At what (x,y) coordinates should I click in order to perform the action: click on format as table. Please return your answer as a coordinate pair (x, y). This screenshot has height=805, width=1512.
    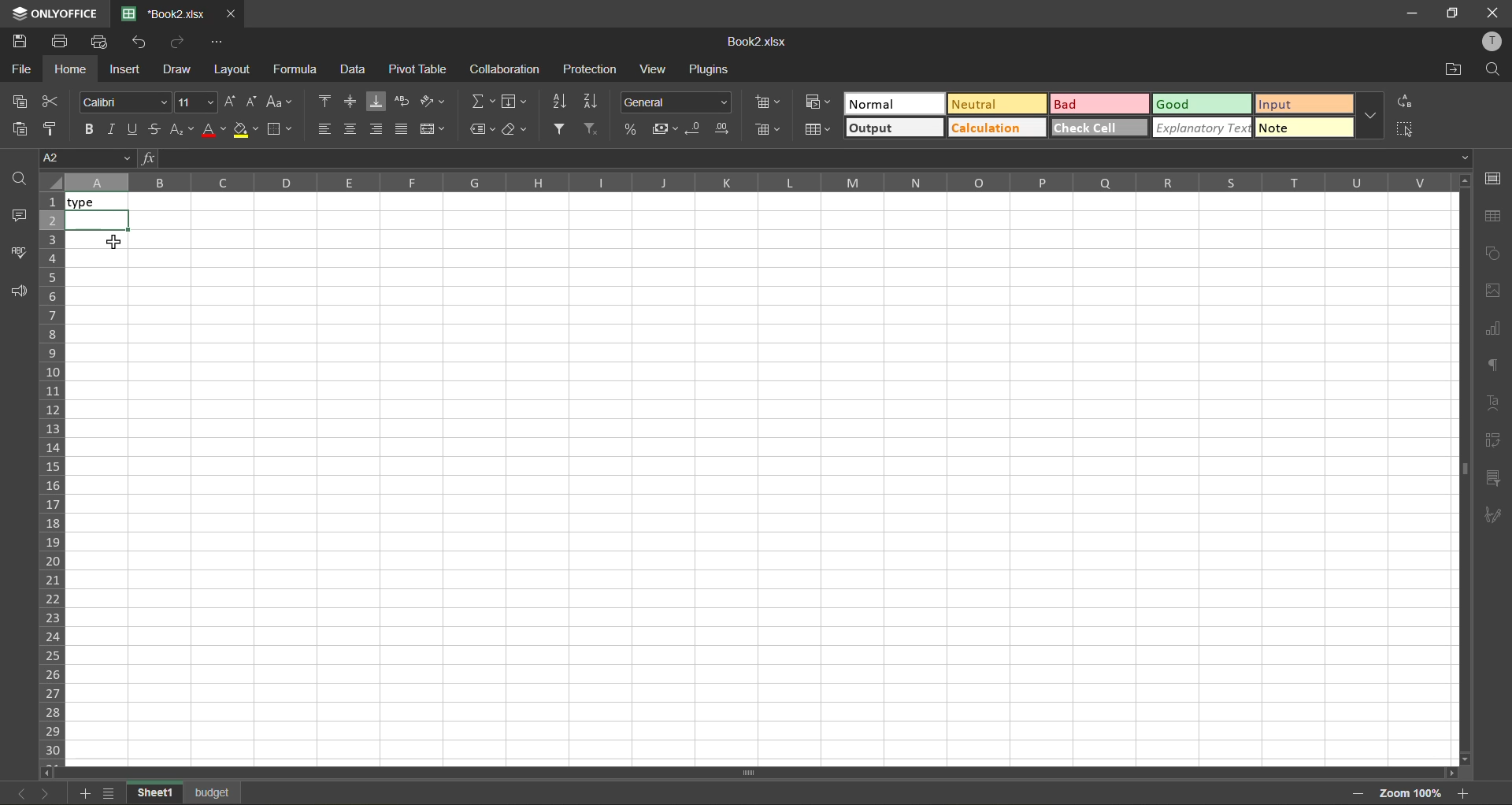
    Looking at the image, I should click on (817, 129).